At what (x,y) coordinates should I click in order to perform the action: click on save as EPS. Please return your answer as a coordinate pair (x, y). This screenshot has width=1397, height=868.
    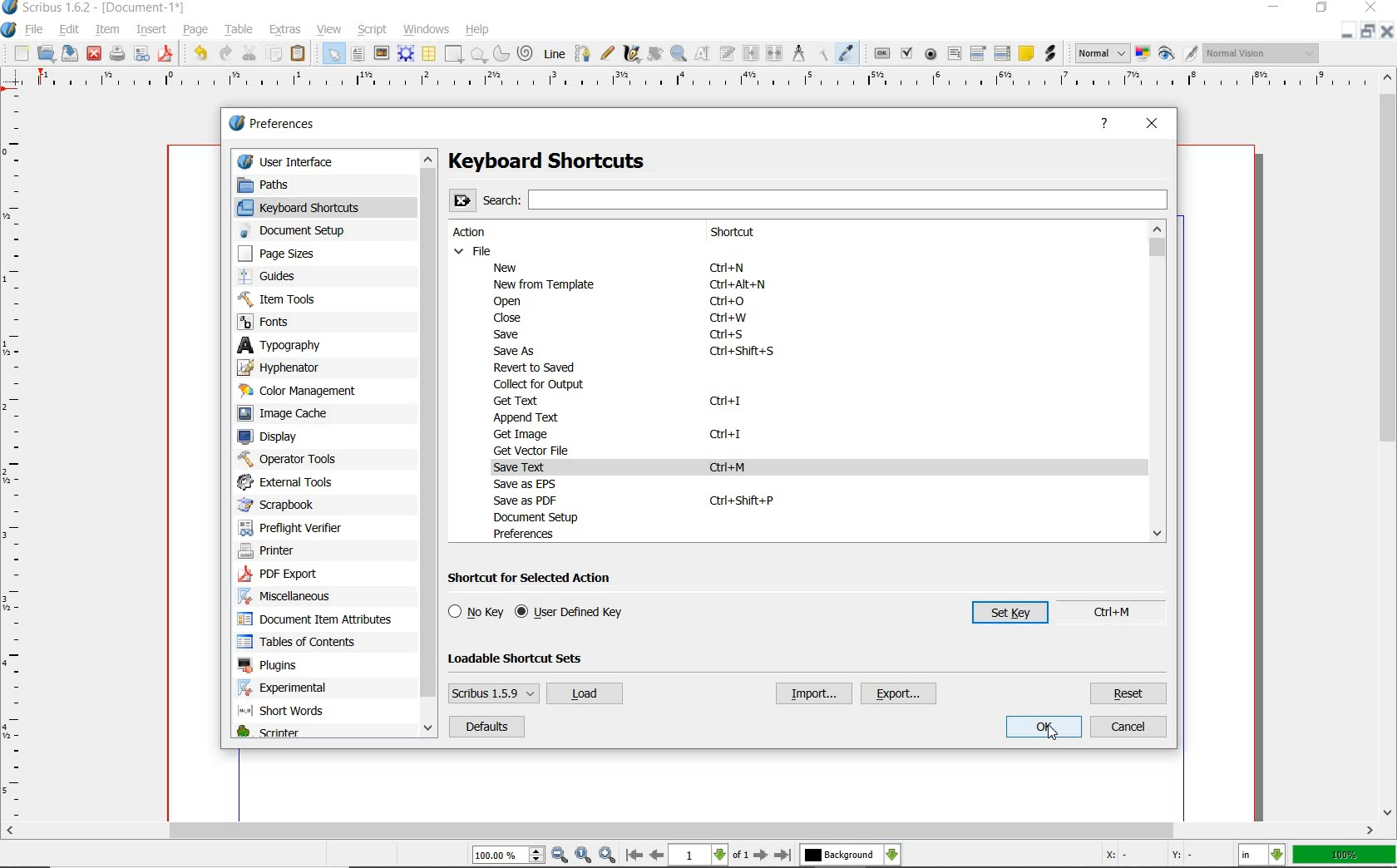
    Looking at the image, I should click on (526, 484).